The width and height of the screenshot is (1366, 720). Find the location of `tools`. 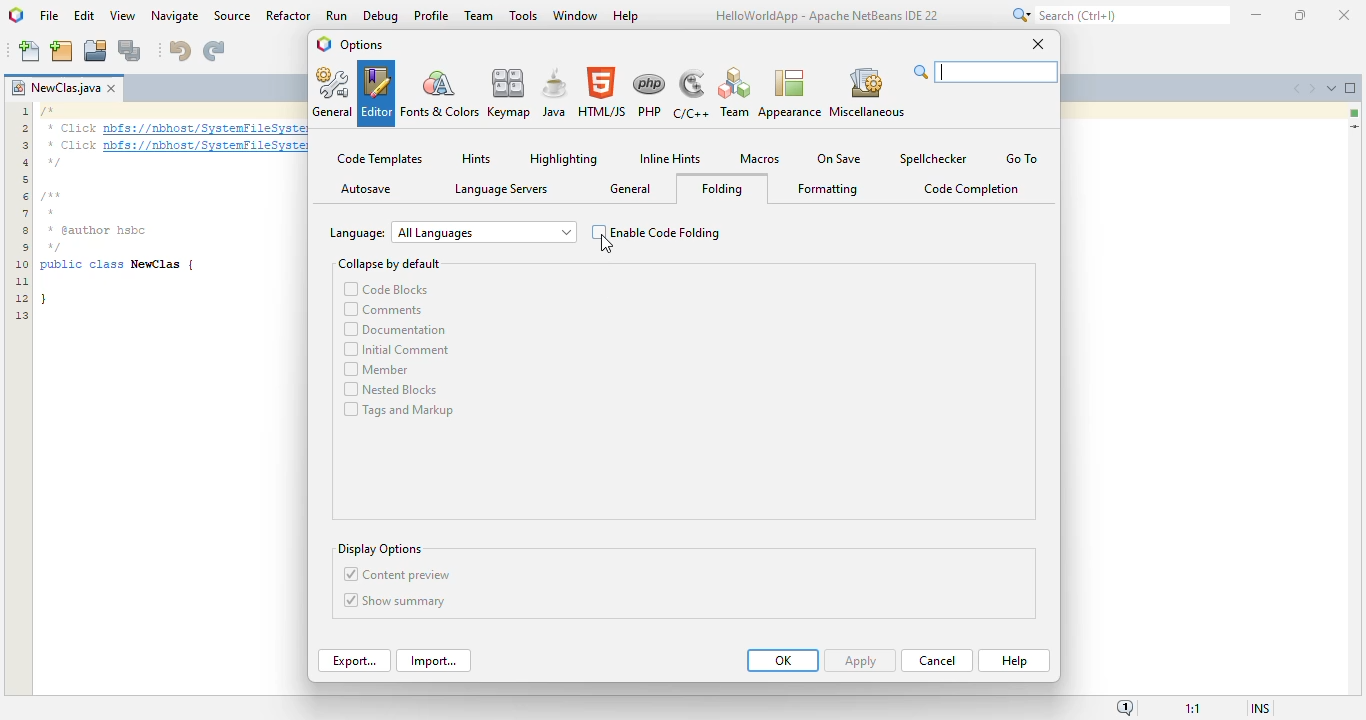

tools is located at coordinates (522, 14).